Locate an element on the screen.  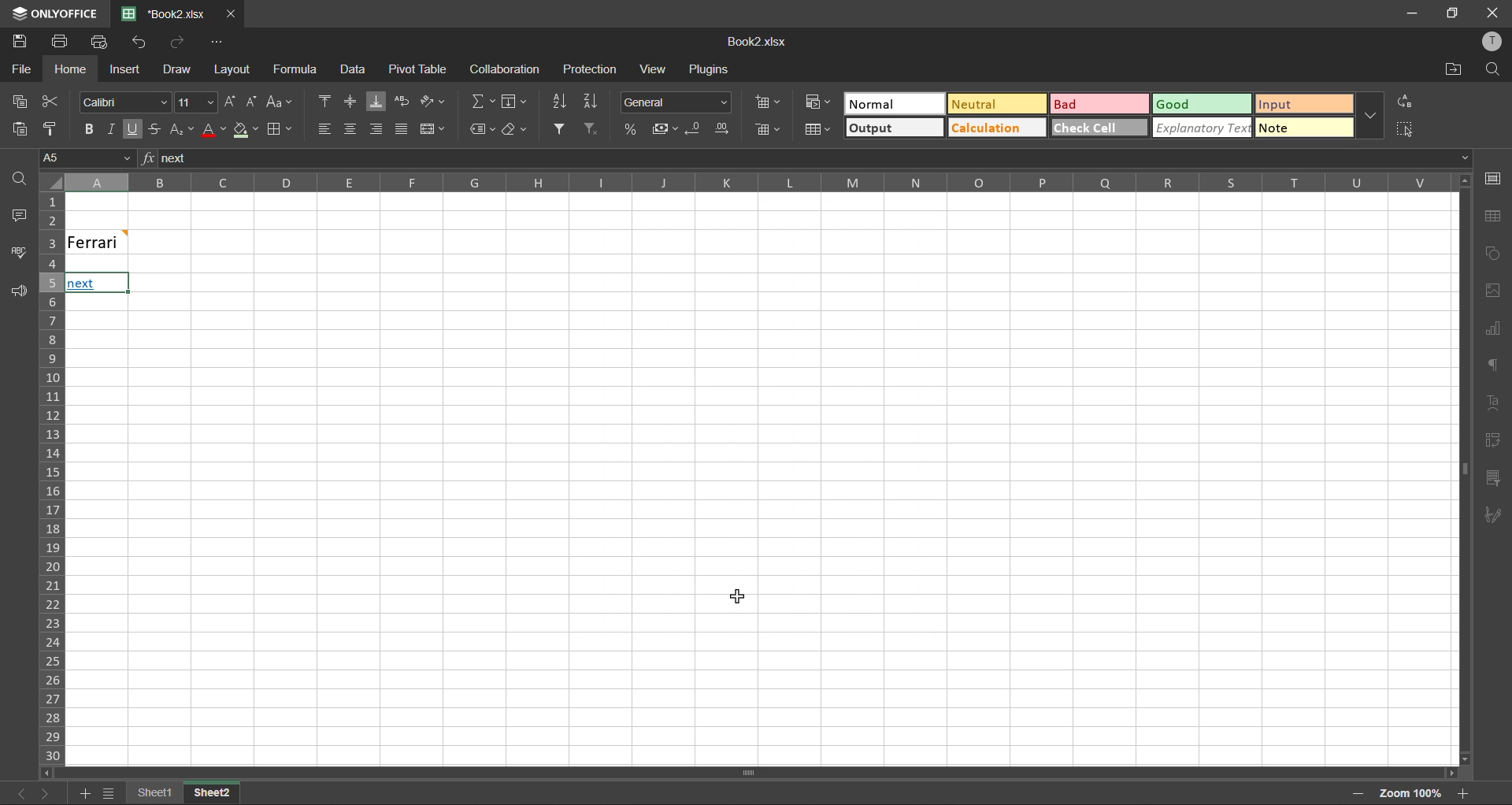
open location is located at coordinates (1448, 70).